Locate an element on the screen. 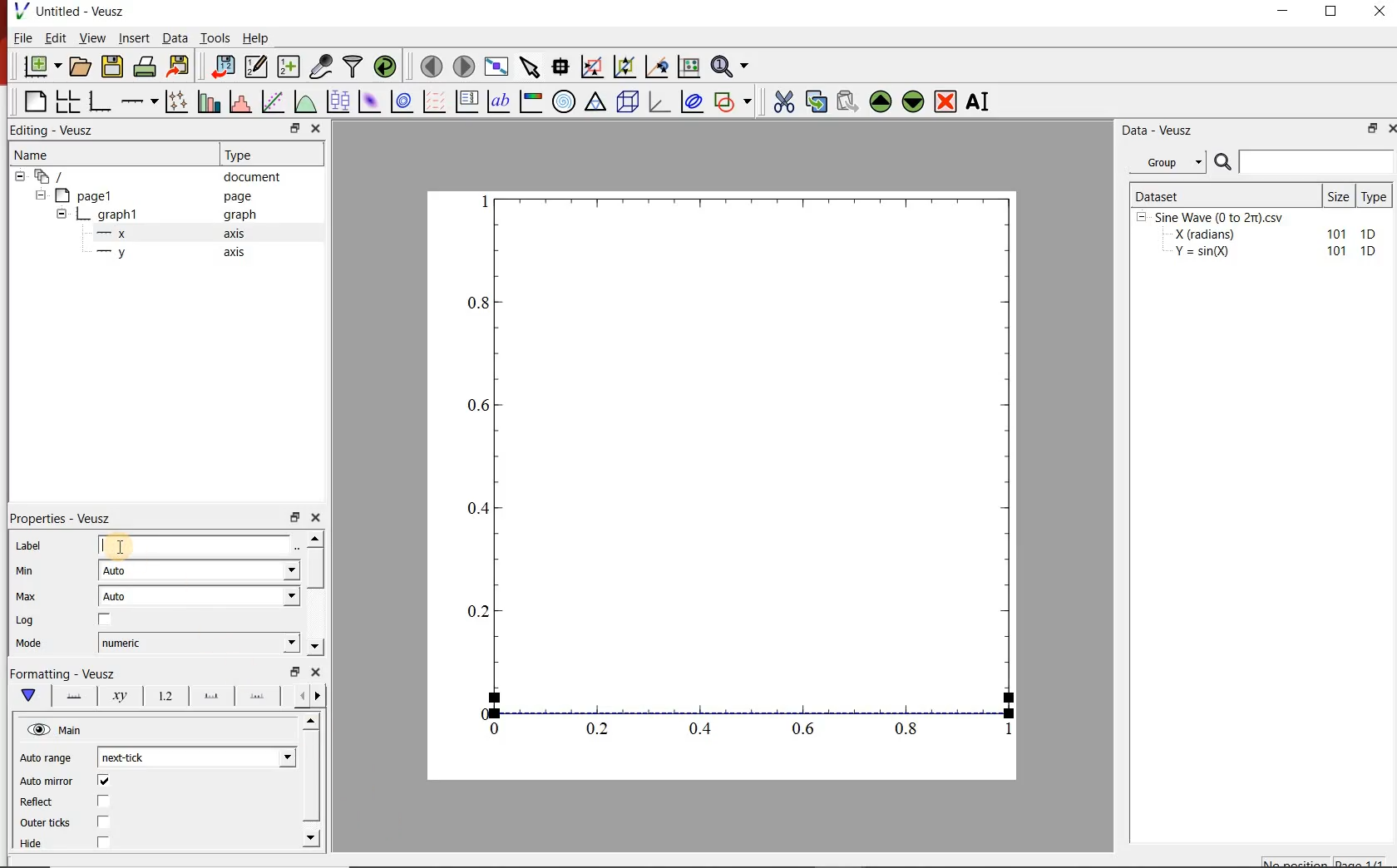  add an axis is located at coordinates (139, 101).